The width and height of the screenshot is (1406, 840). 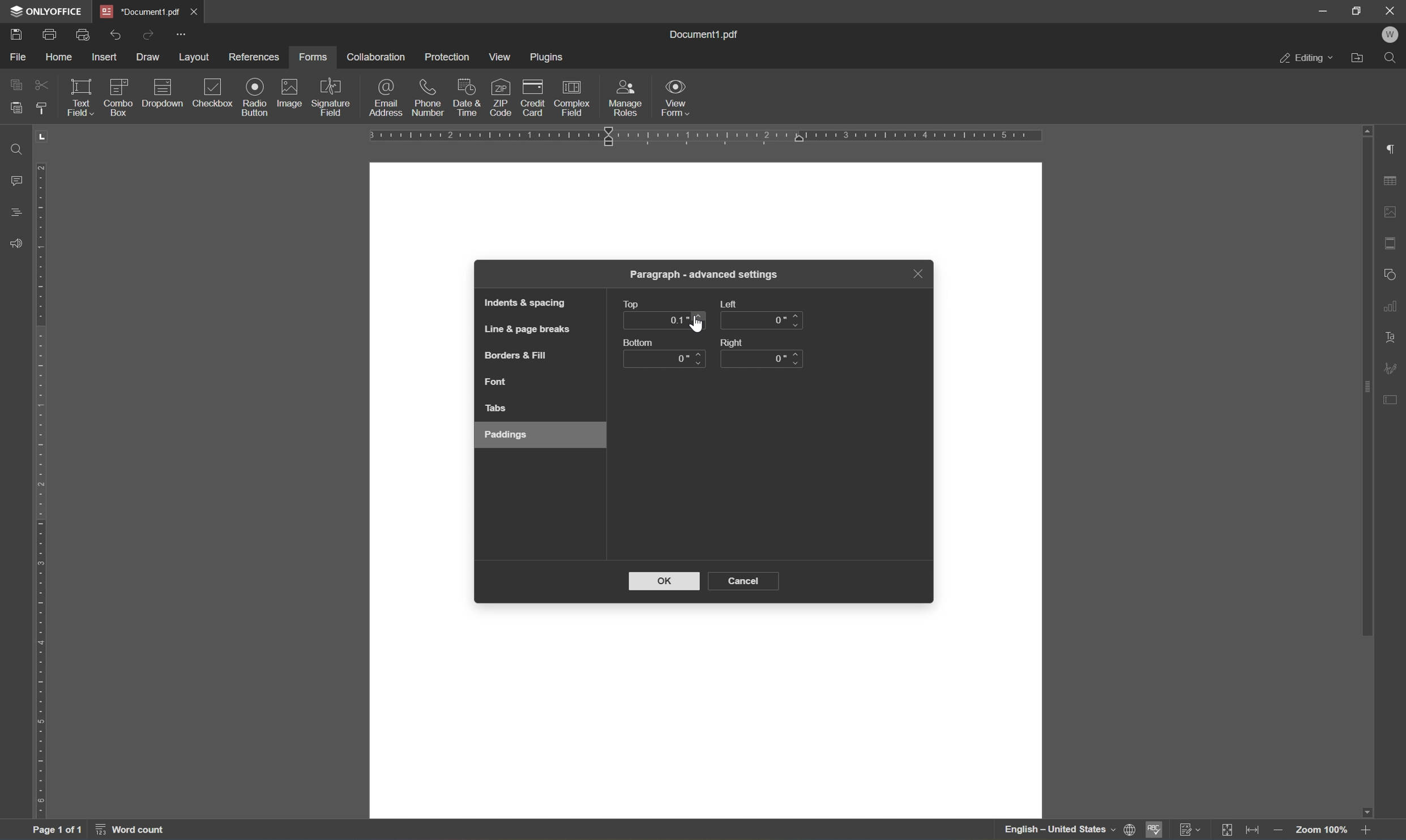 I want to click on line & page breaks, so click(x=530, y=328).